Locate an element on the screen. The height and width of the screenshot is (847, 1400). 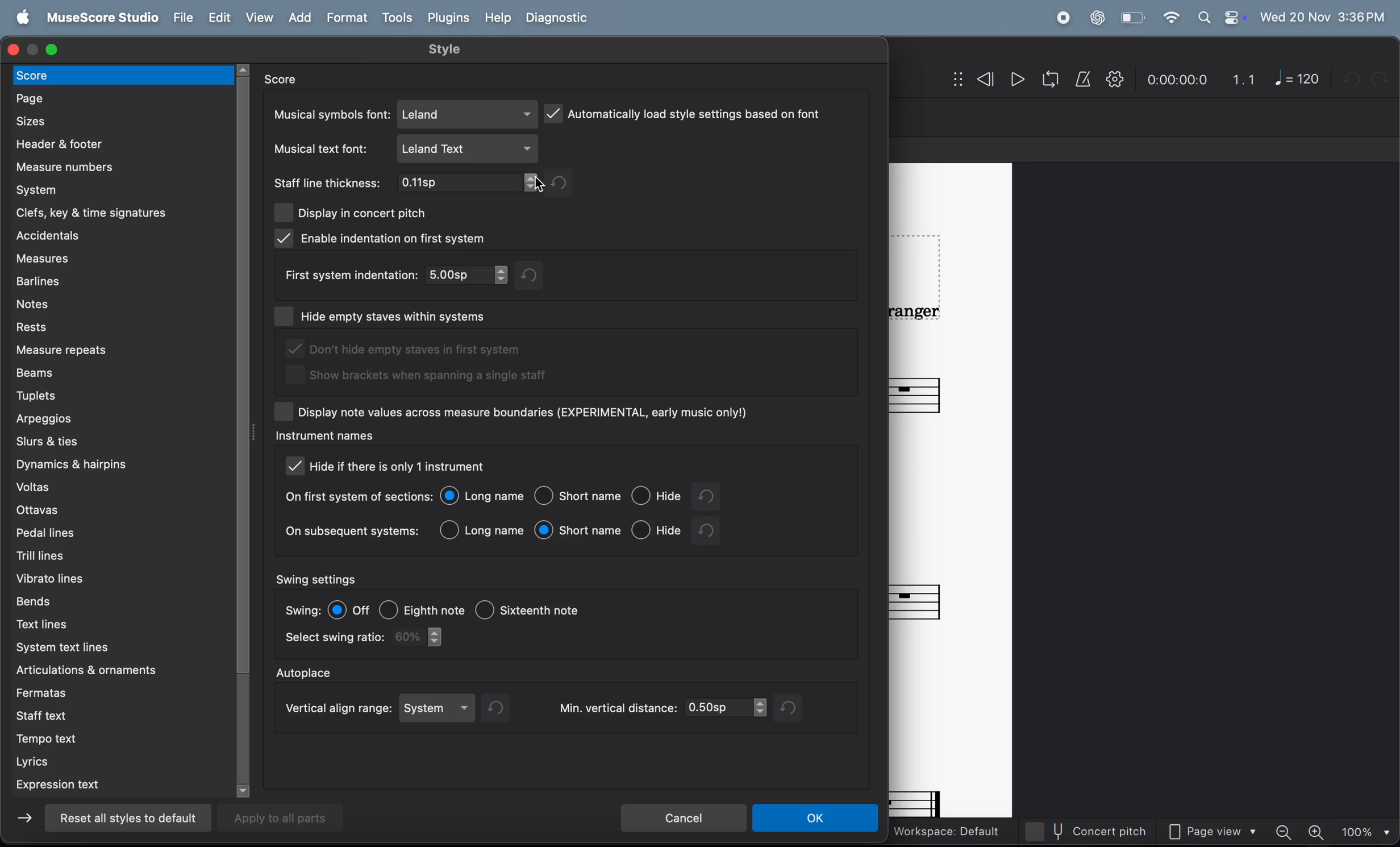
concert pitch is located at coordinates (1093, 831).